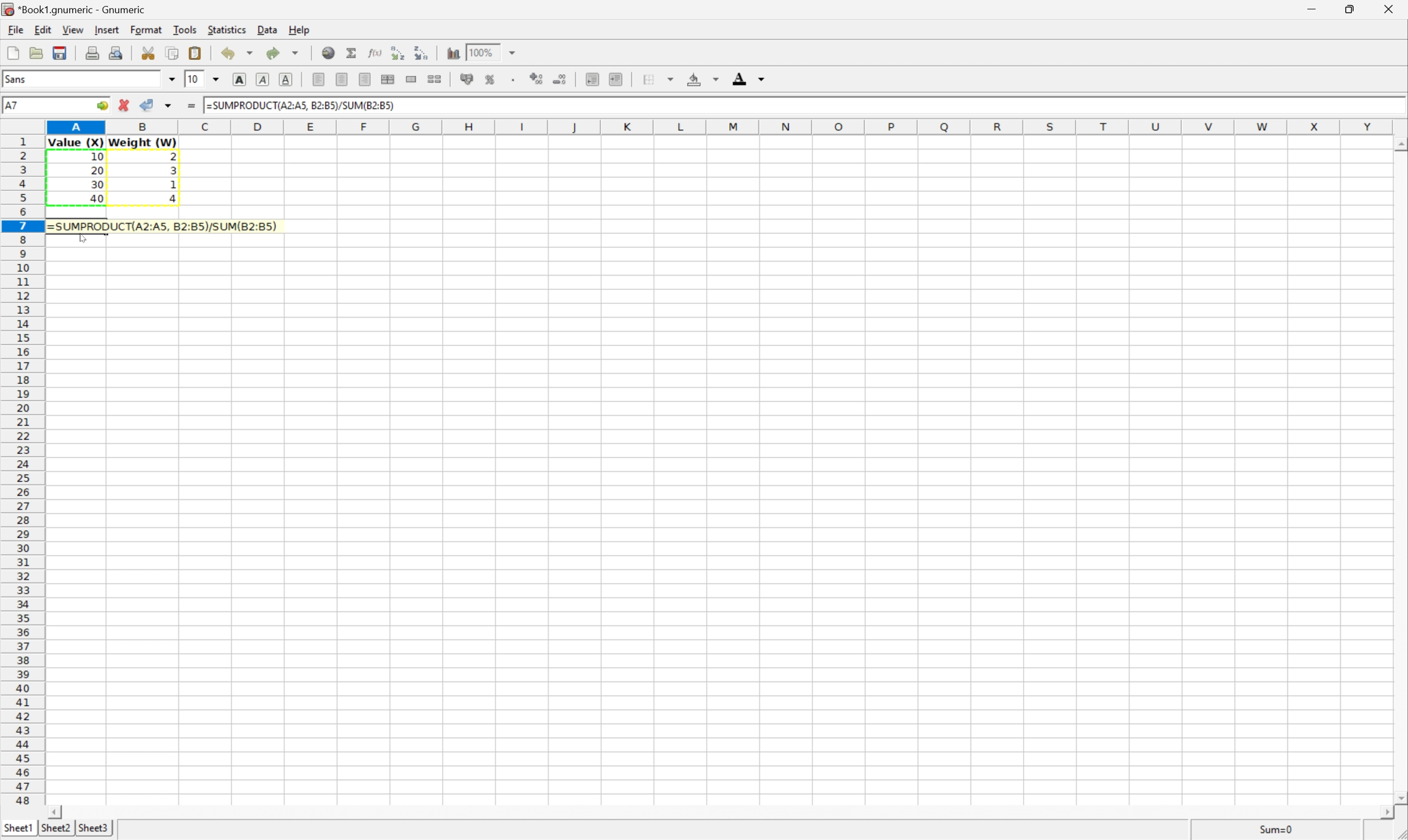 This screenshot has width=1408, height=840. What do you see at coordinates (492, 80) in the screenshot?
I see `Format selection as percentage` at bounding box center [492, 80].